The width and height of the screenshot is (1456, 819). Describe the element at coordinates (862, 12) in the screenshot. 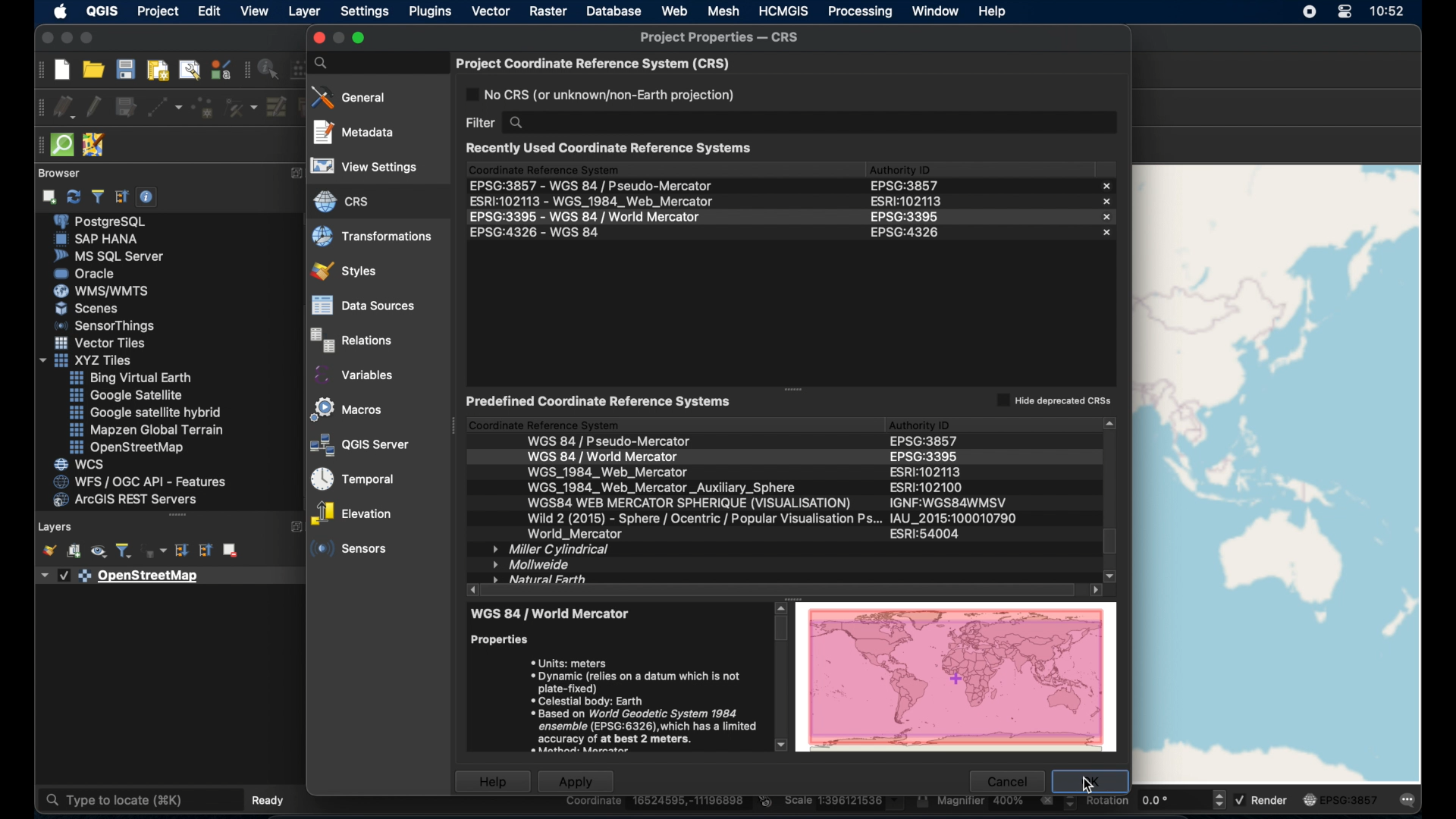

I see `processing` at that location.